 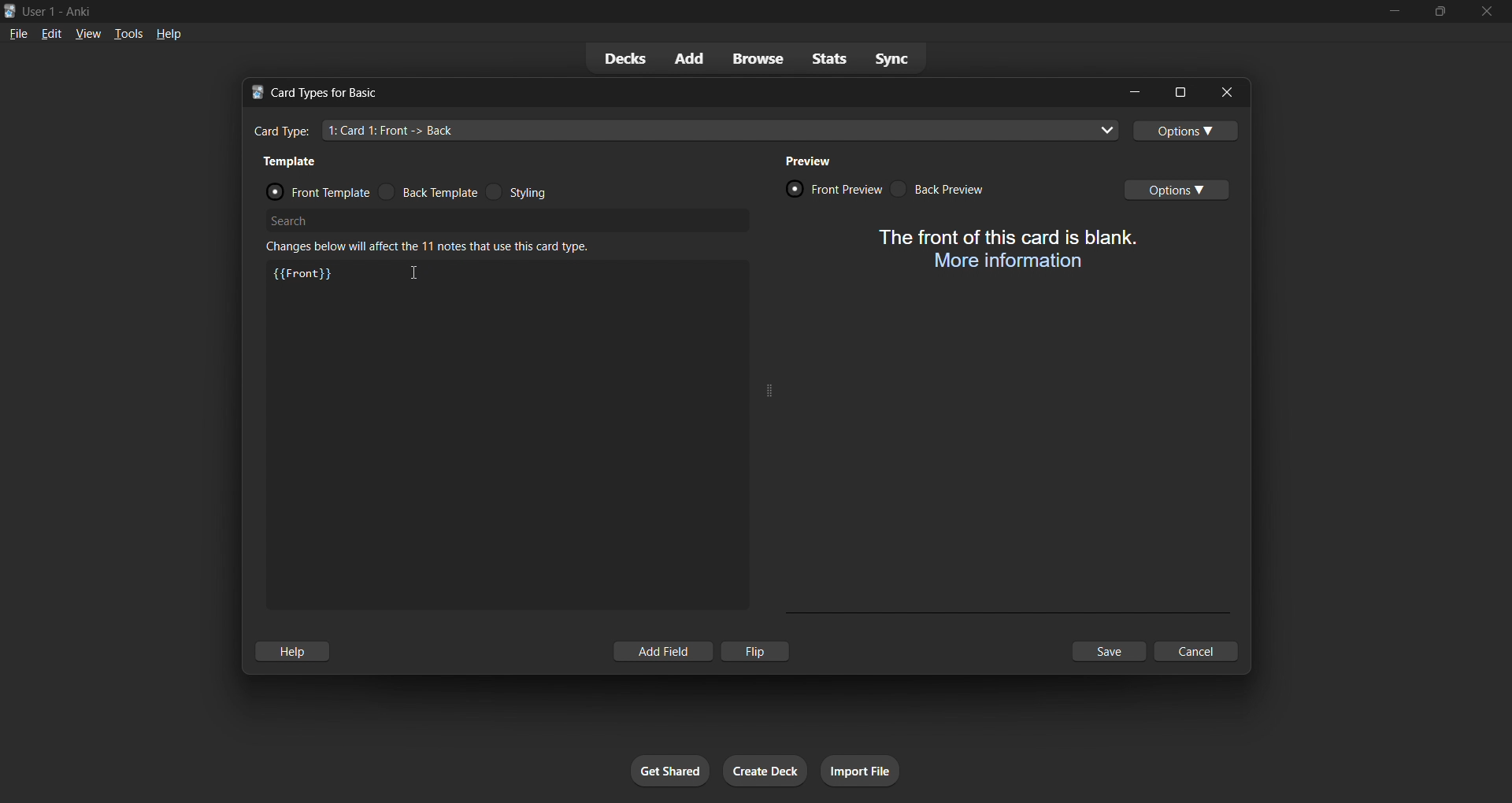 I want to click on maximize/restore, so click(x=1438, y=10).